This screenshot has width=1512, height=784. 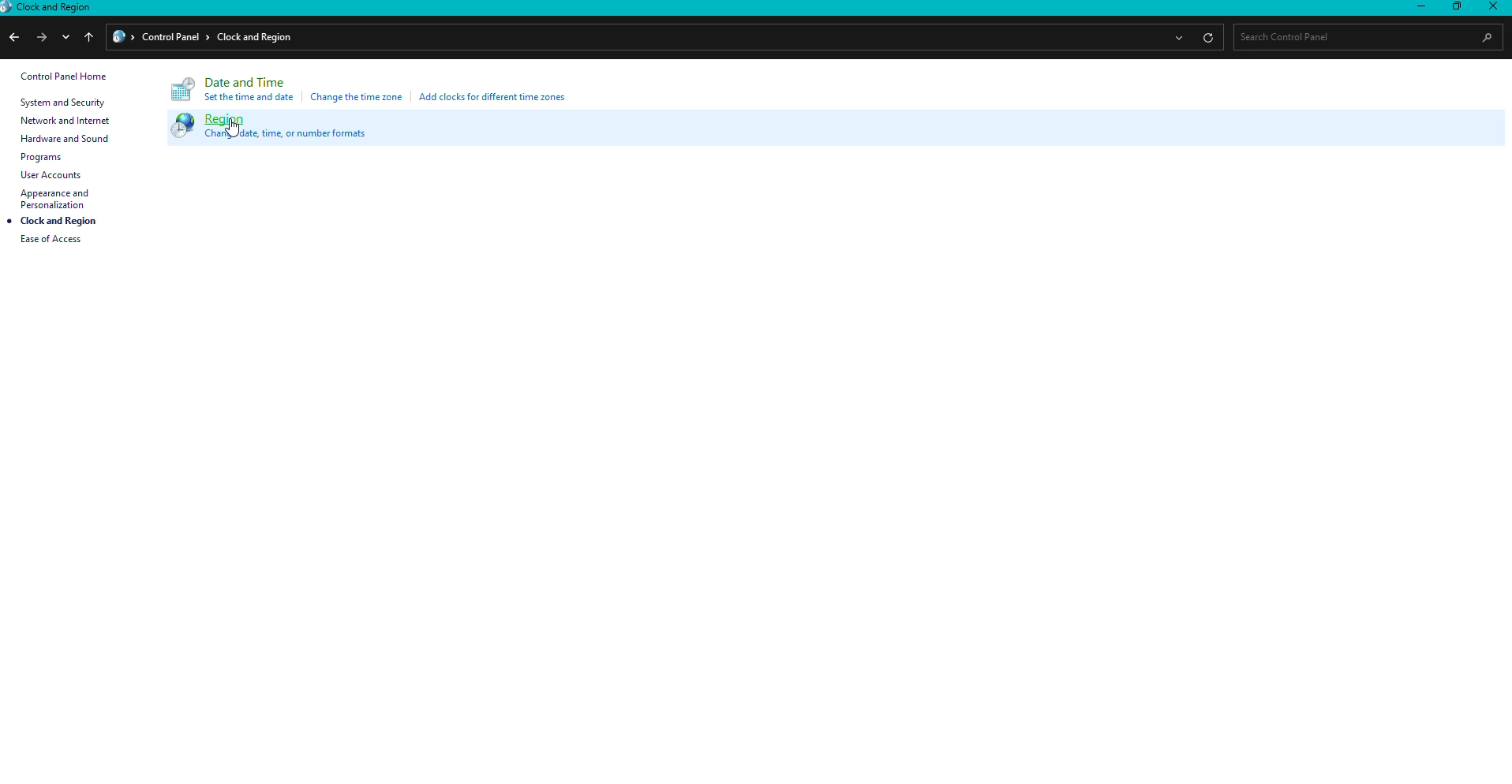 What do you see at coordinates (627, 36) in the screenshot?
I see `File path` at bounding box center [627, 36].